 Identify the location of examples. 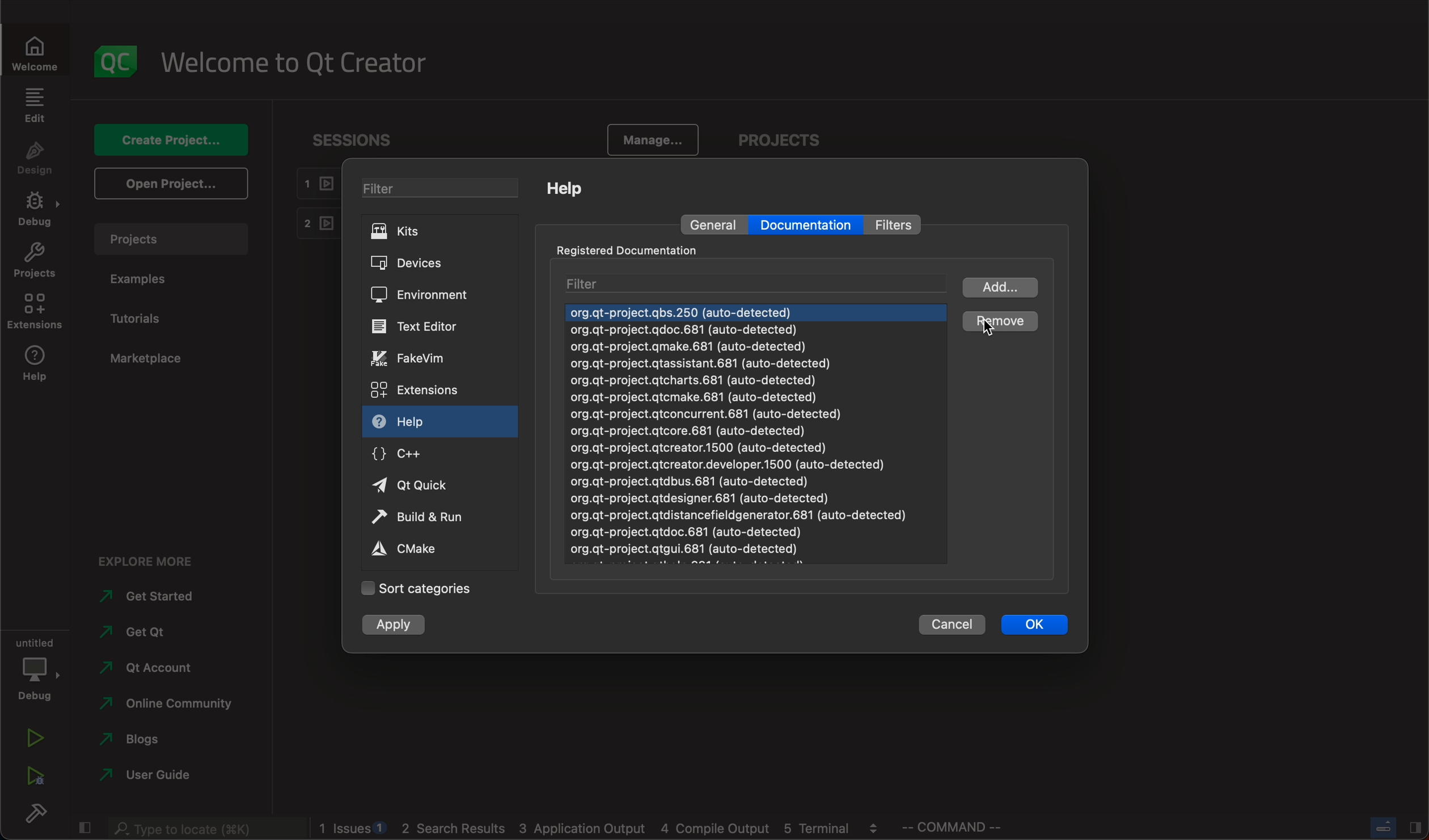
(157, 285).